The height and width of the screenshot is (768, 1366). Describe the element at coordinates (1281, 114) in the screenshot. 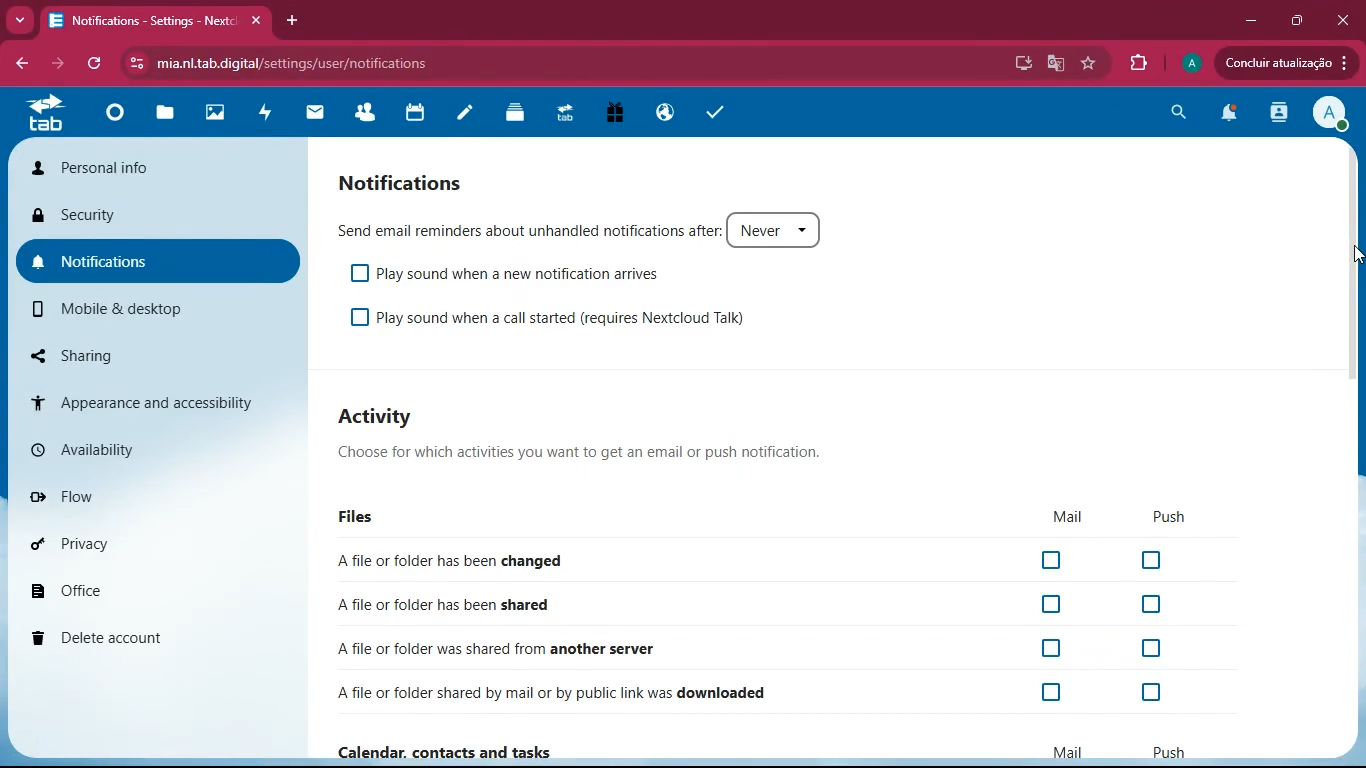

I see `activity` at that location.